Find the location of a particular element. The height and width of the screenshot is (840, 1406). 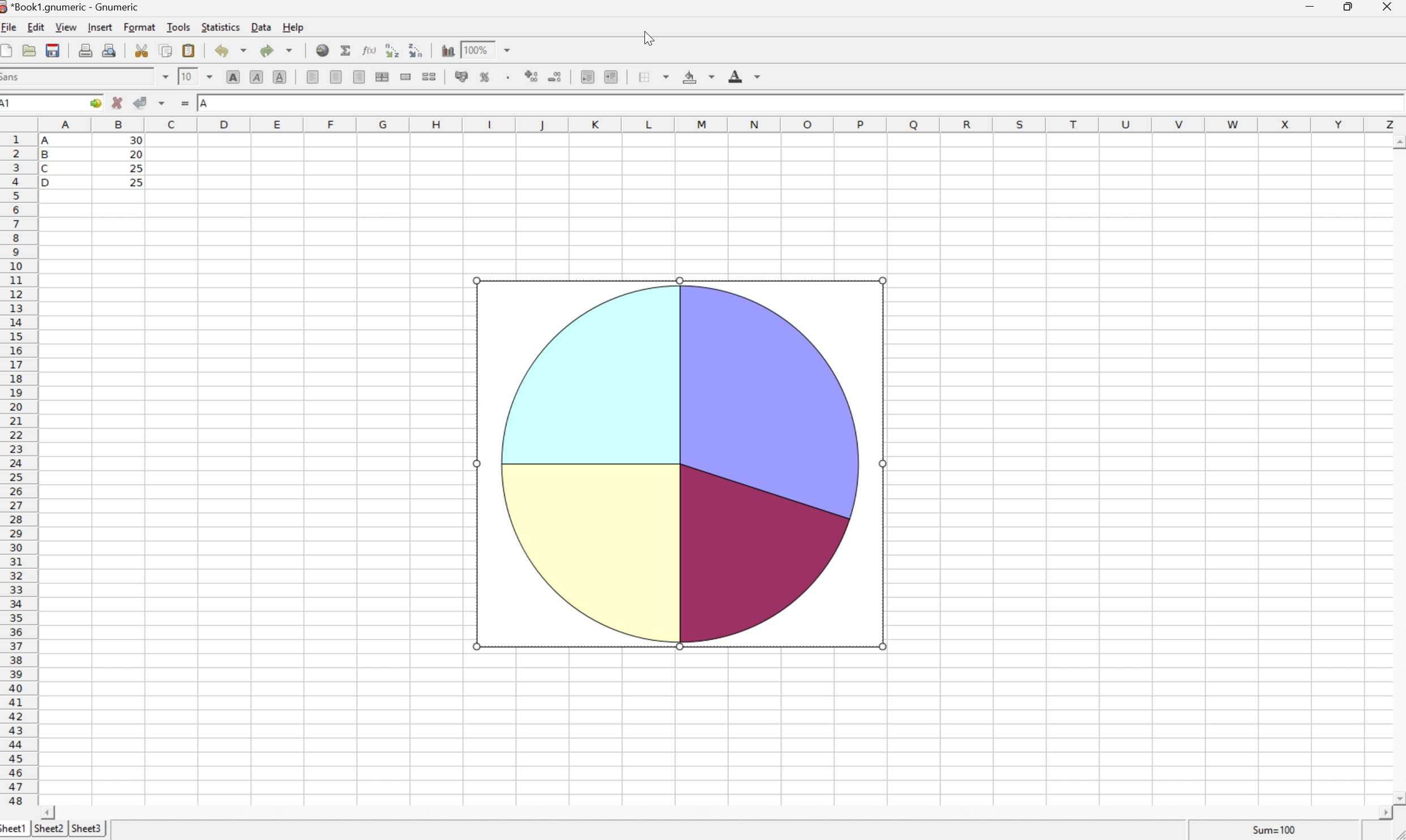

Cancel changes is located at coordinates (117, 102).